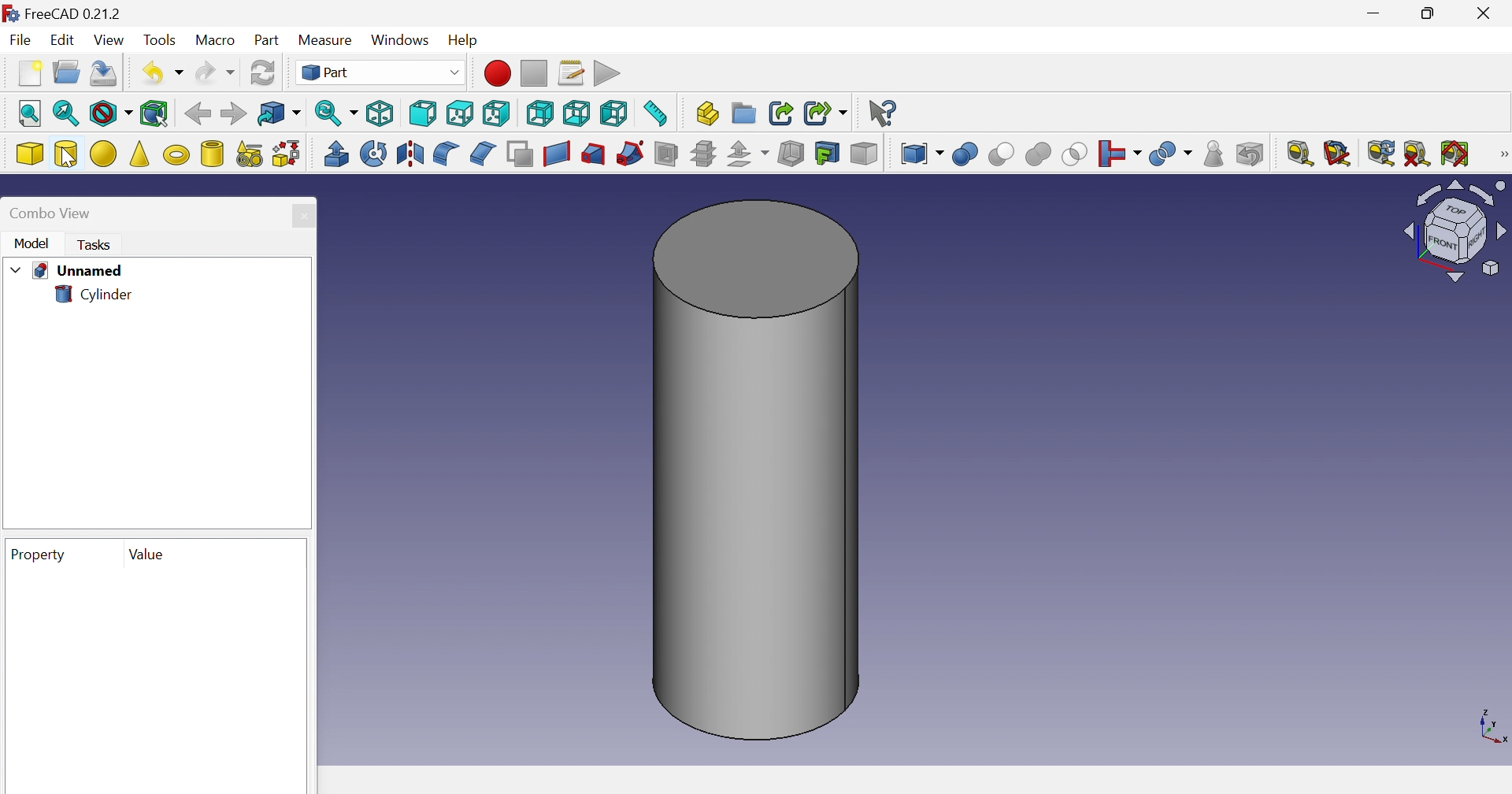  I want to click on Union, so click(1073, 156).